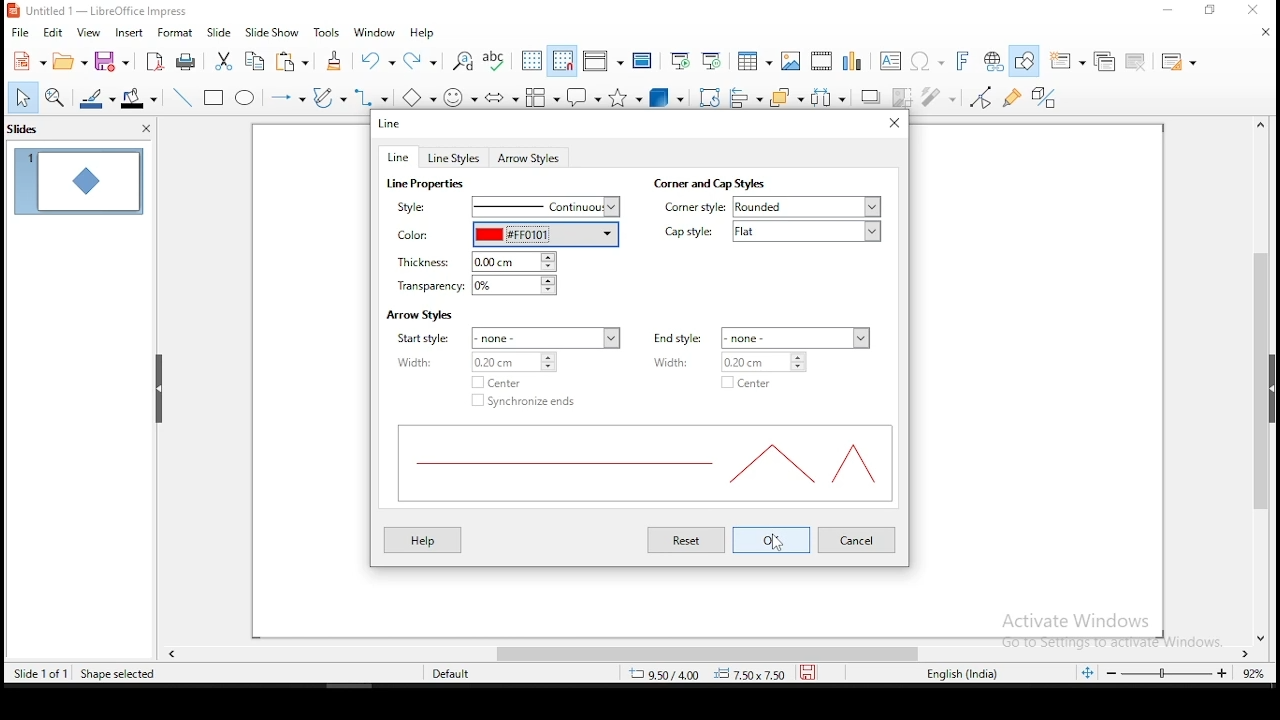 The height and width of the screenshot is (720, 1280). What do you see at coordinates (18, 99) in the screenshot?
I see `select tool` at bounding box center [18, 99].